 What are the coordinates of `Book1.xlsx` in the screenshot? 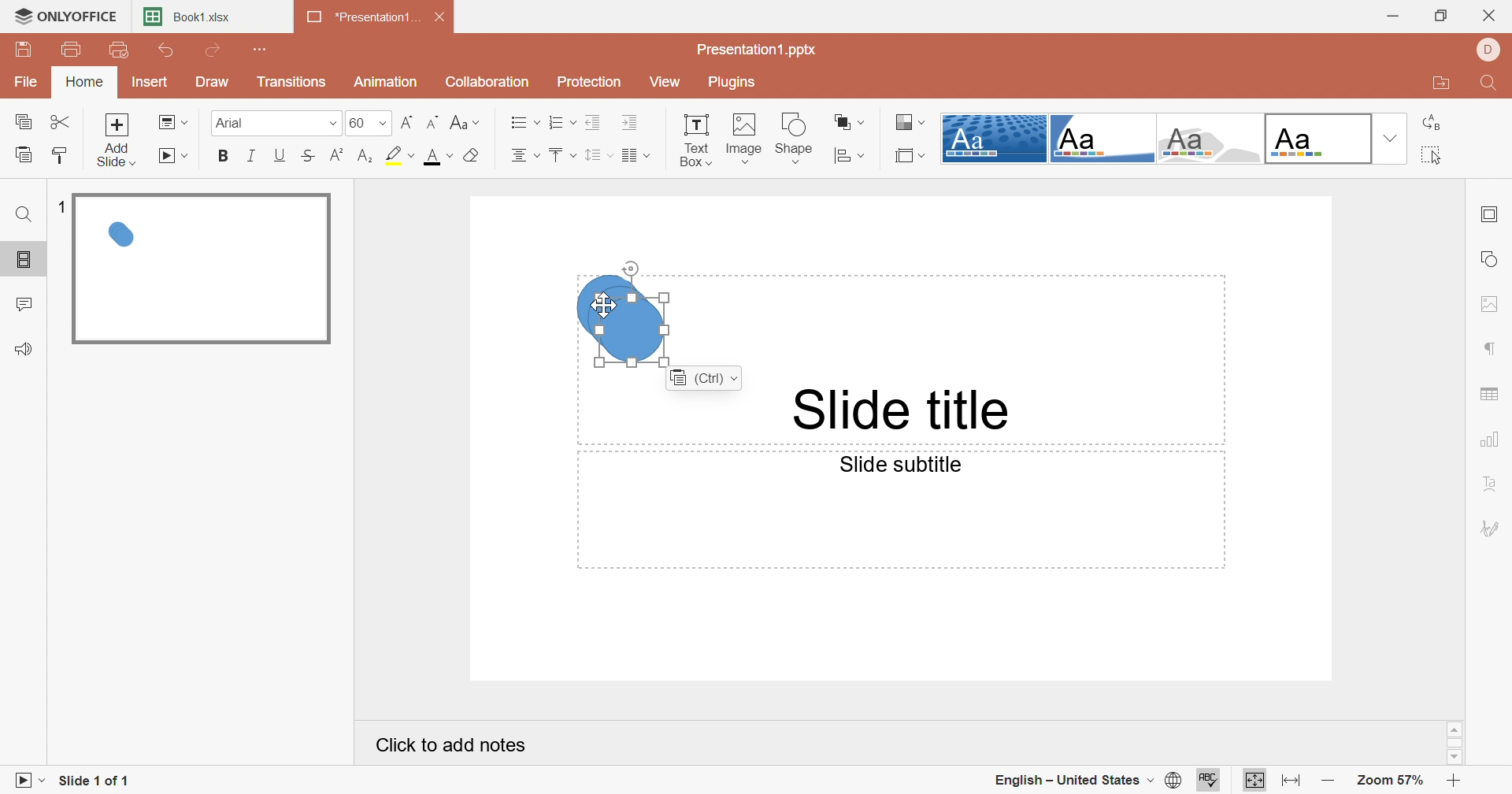 It's located at (188, 16).